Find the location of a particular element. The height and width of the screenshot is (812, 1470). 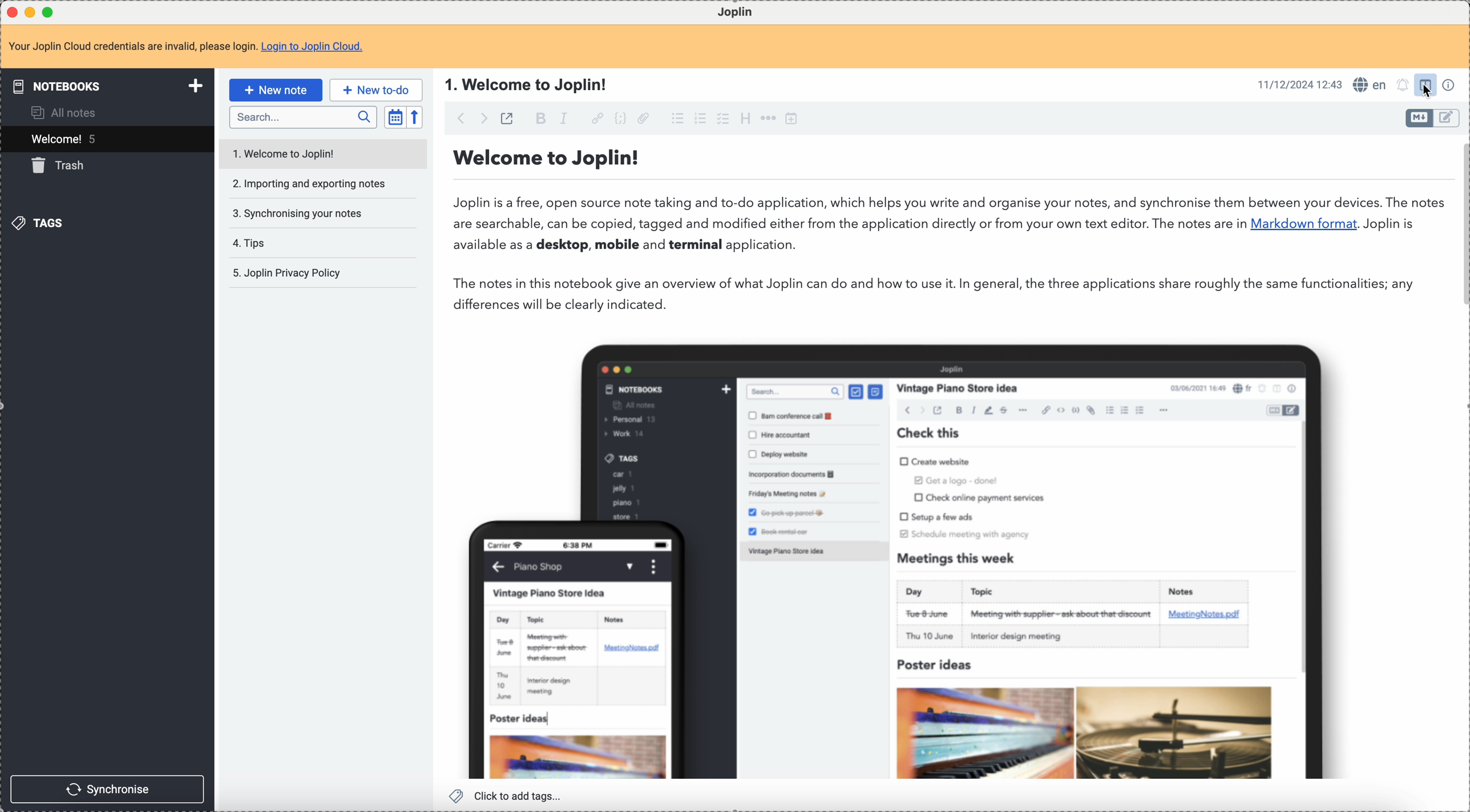

trash is located at coordinates (58, 168).